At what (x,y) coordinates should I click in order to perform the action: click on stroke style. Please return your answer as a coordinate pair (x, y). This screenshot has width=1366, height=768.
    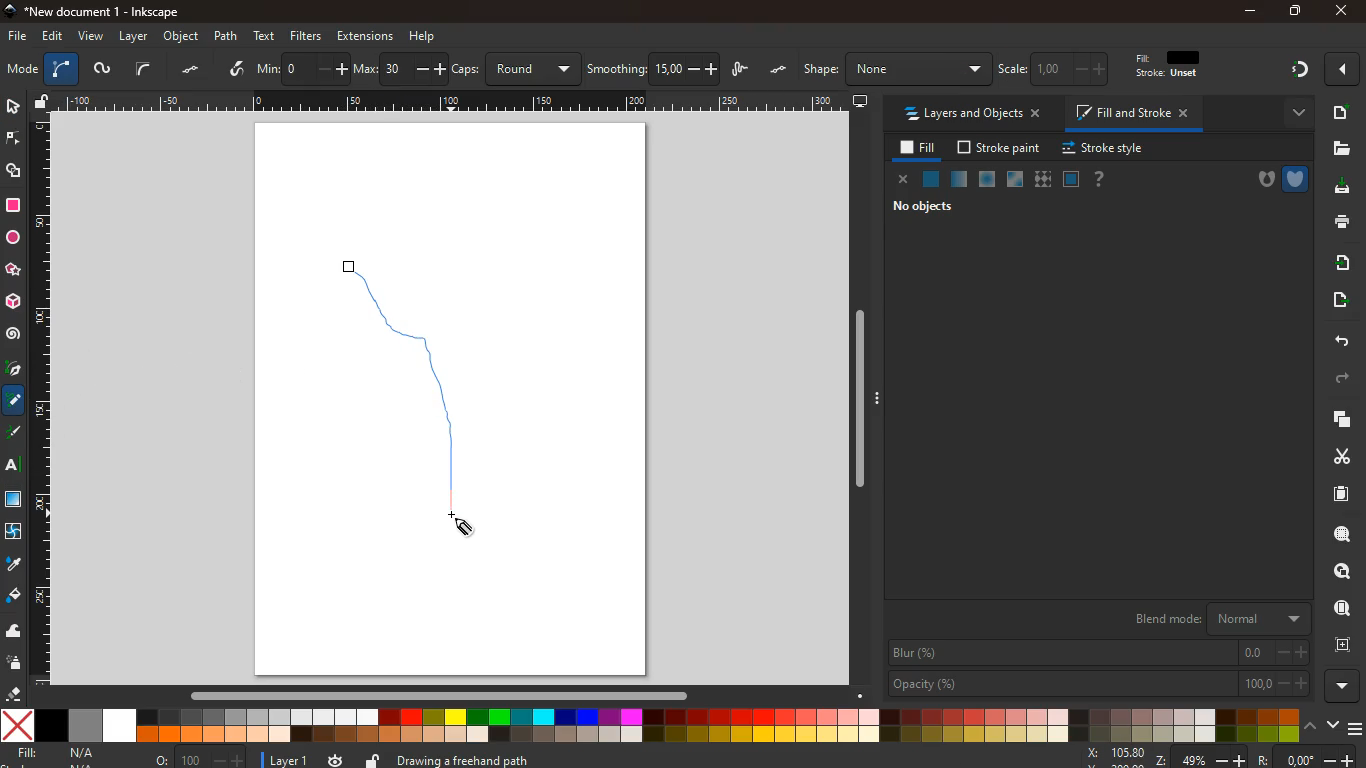
    Looking at the image, I should click on (1106, 149).